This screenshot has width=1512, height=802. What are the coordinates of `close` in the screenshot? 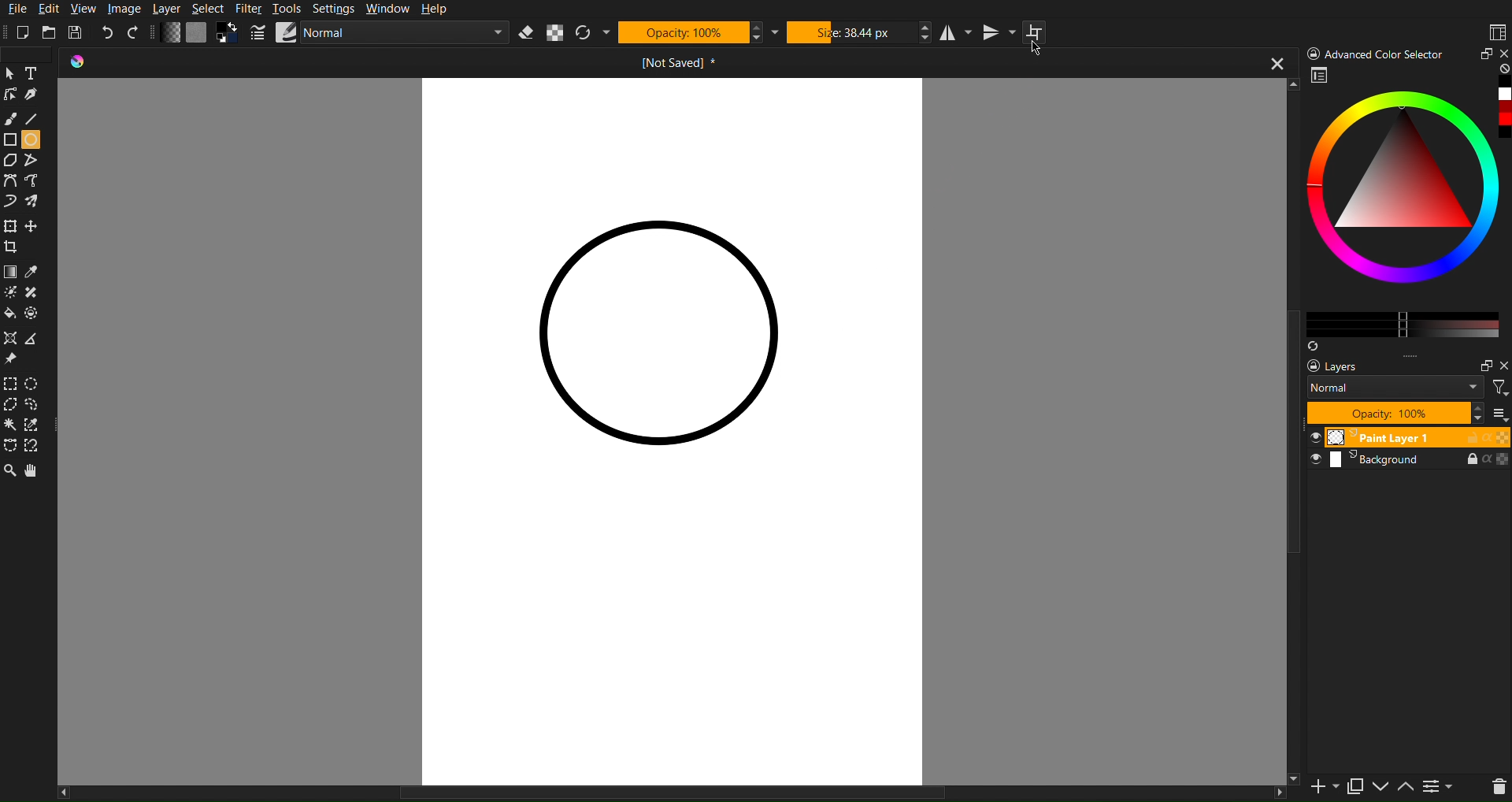 It's located at (1270, 65).